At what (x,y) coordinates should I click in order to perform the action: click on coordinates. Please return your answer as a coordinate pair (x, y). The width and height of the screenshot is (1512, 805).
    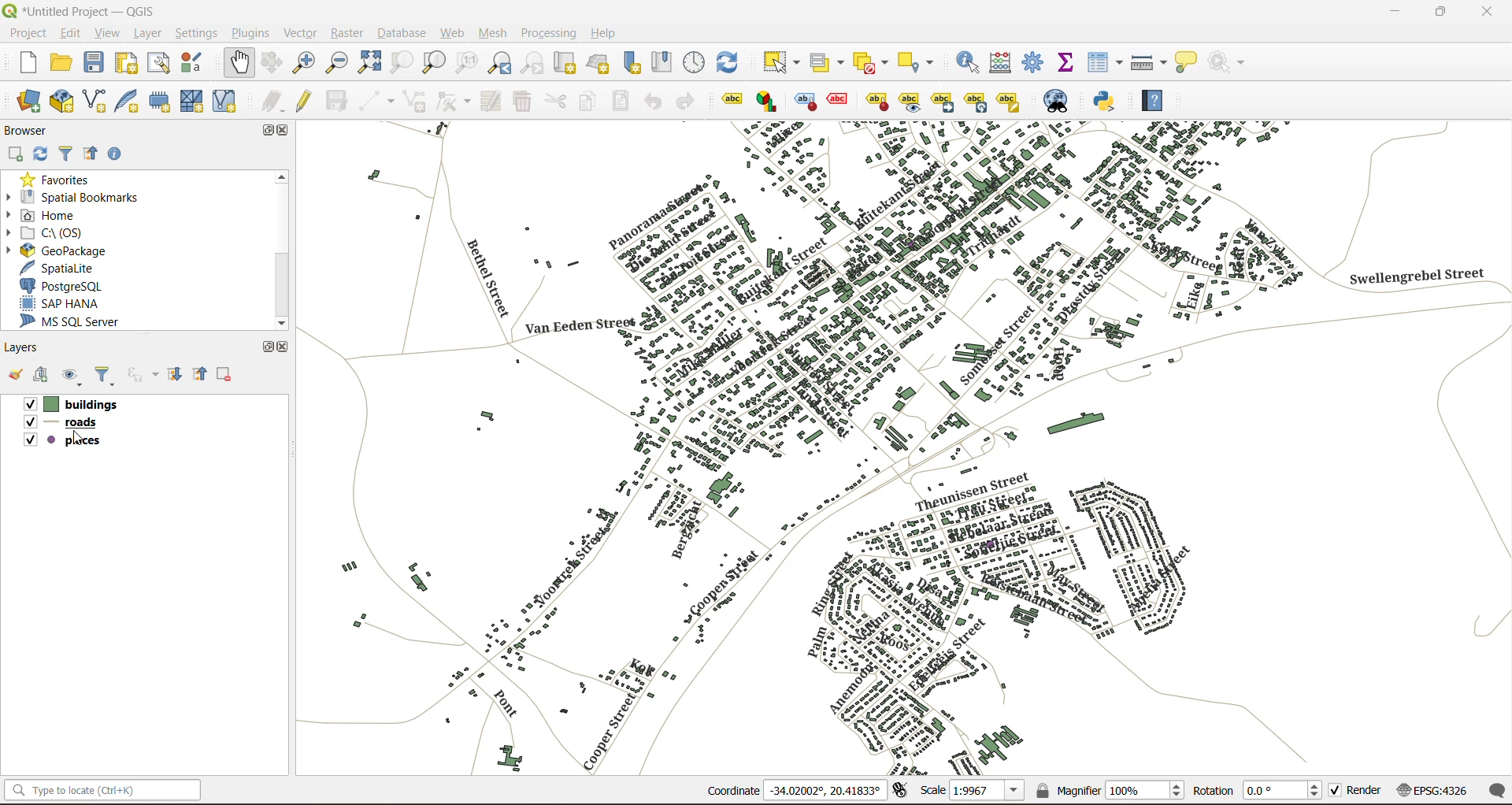
    Looking at the image, I should click on (794, 791).